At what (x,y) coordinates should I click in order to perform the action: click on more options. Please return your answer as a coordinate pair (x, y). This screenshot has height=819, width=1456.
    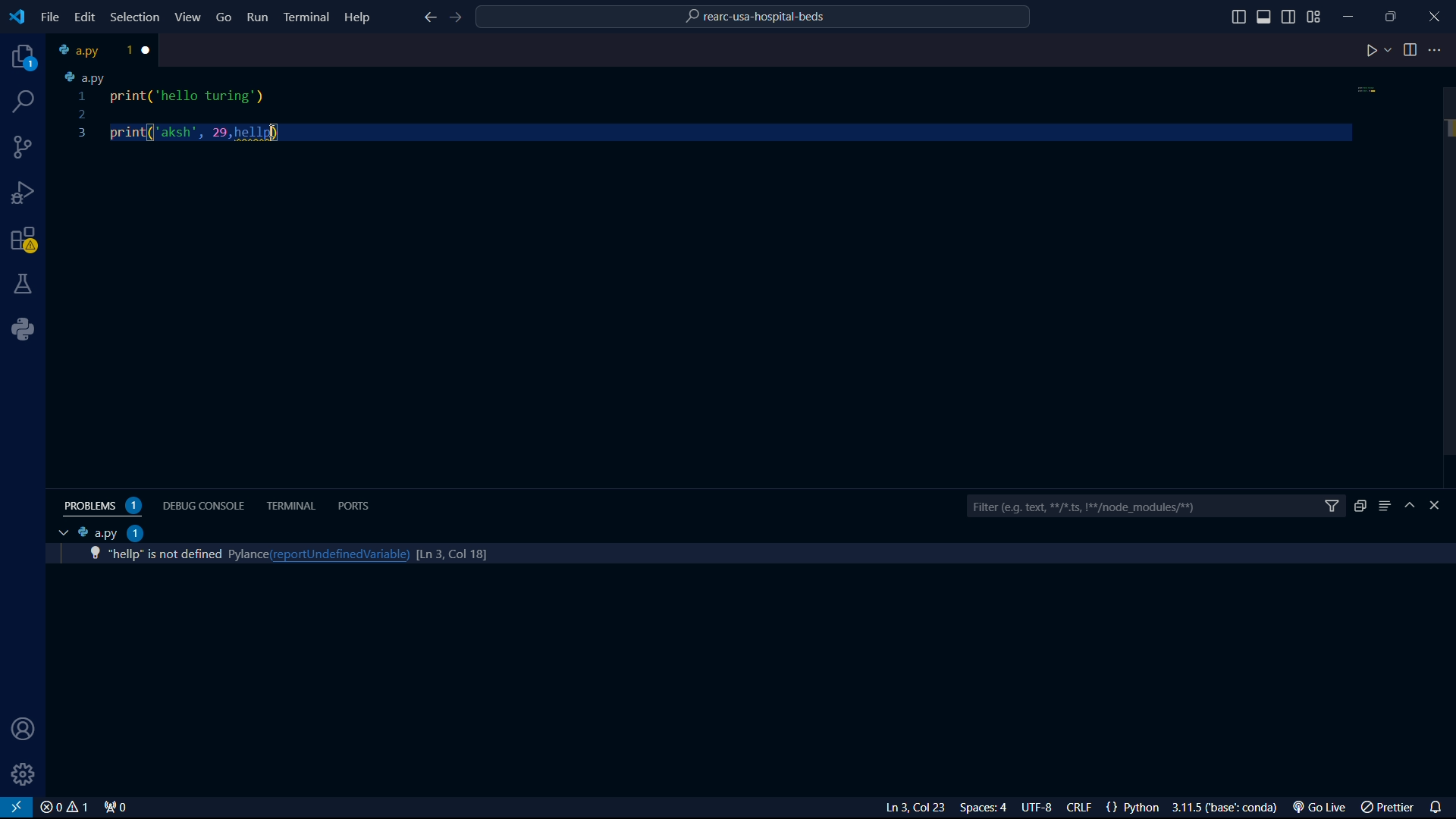
    Looking at the image, I should click on (1437, 50).